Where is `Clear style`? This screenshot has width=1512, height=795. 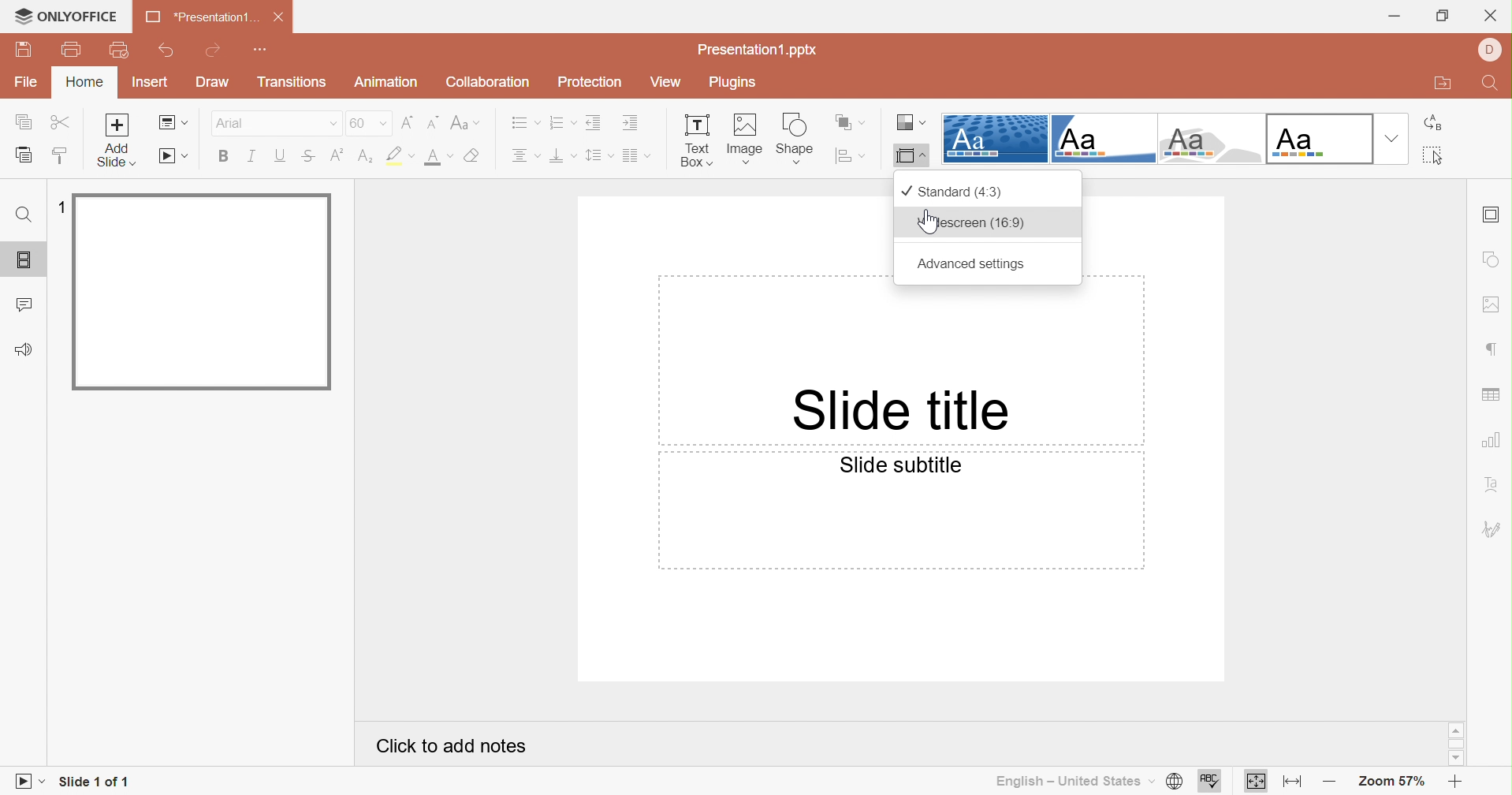
Clear style is located at coordinates (474, 154).